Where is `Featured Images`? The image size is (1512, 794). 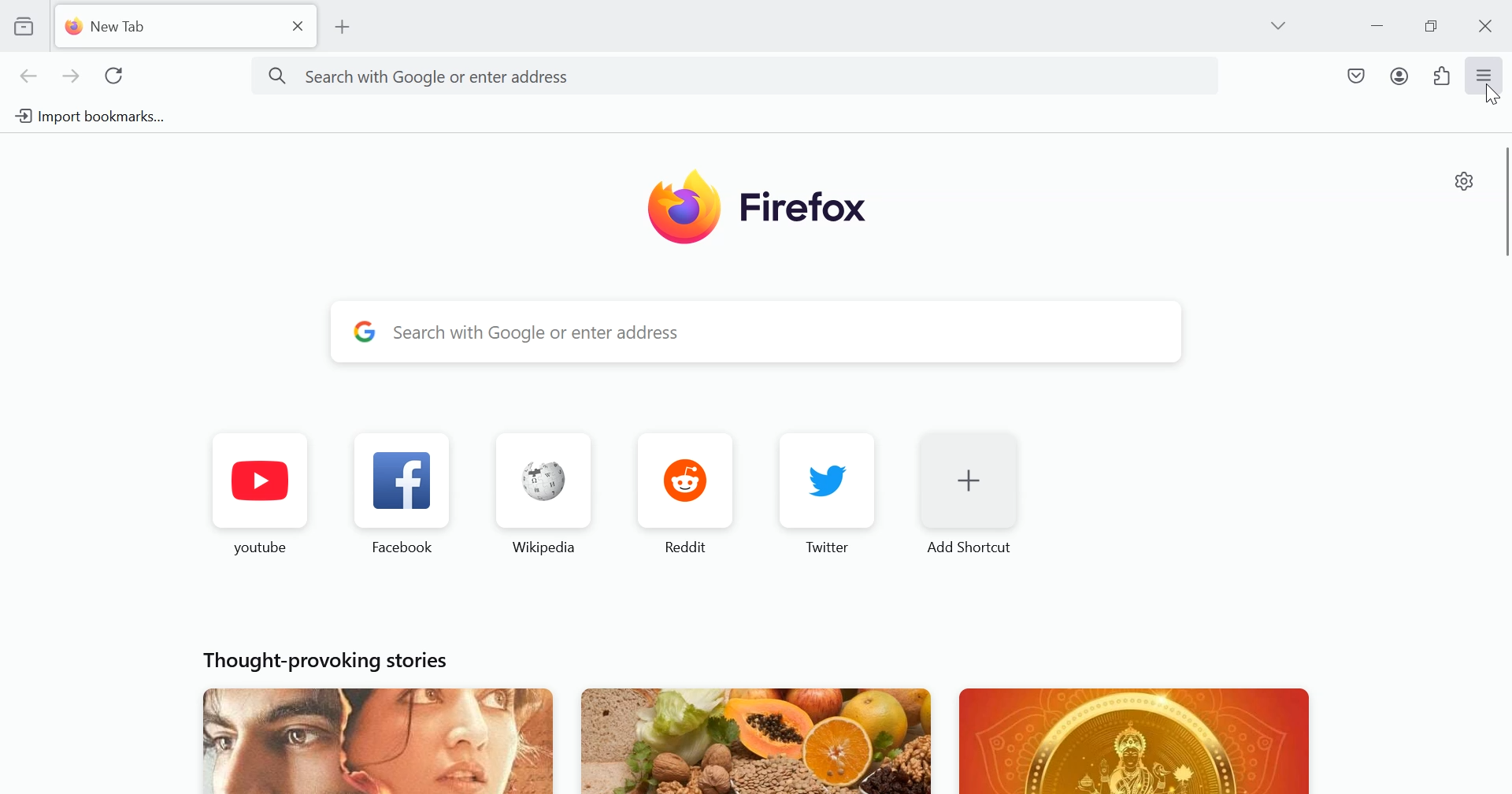 Featured Images is located at coordinates (738, 738).